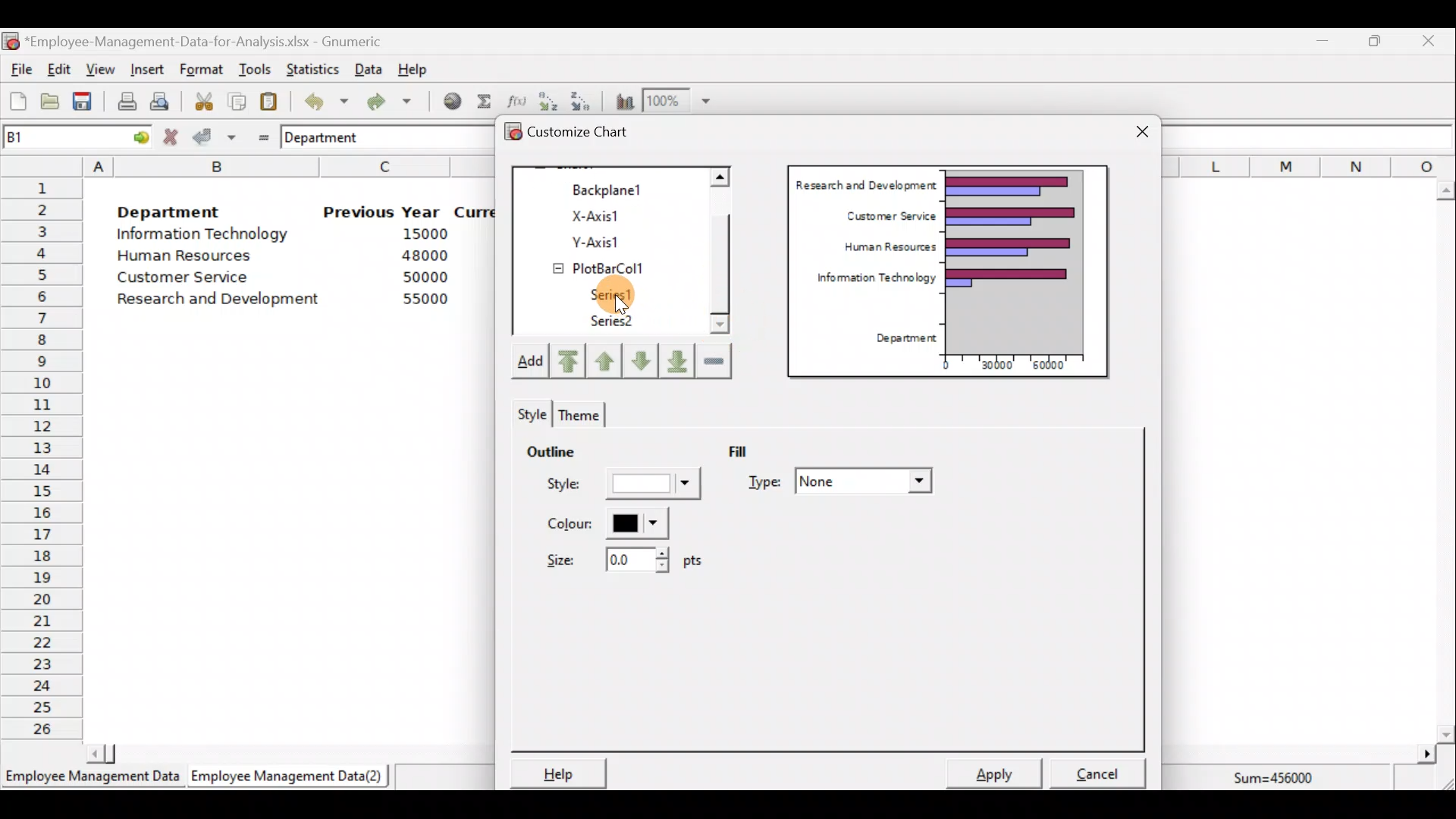 The image size is (1456, 819). What do you see at coordinates (678, 359) in the screenshot?
I see `Move downward` at bounding box center [678, 359].